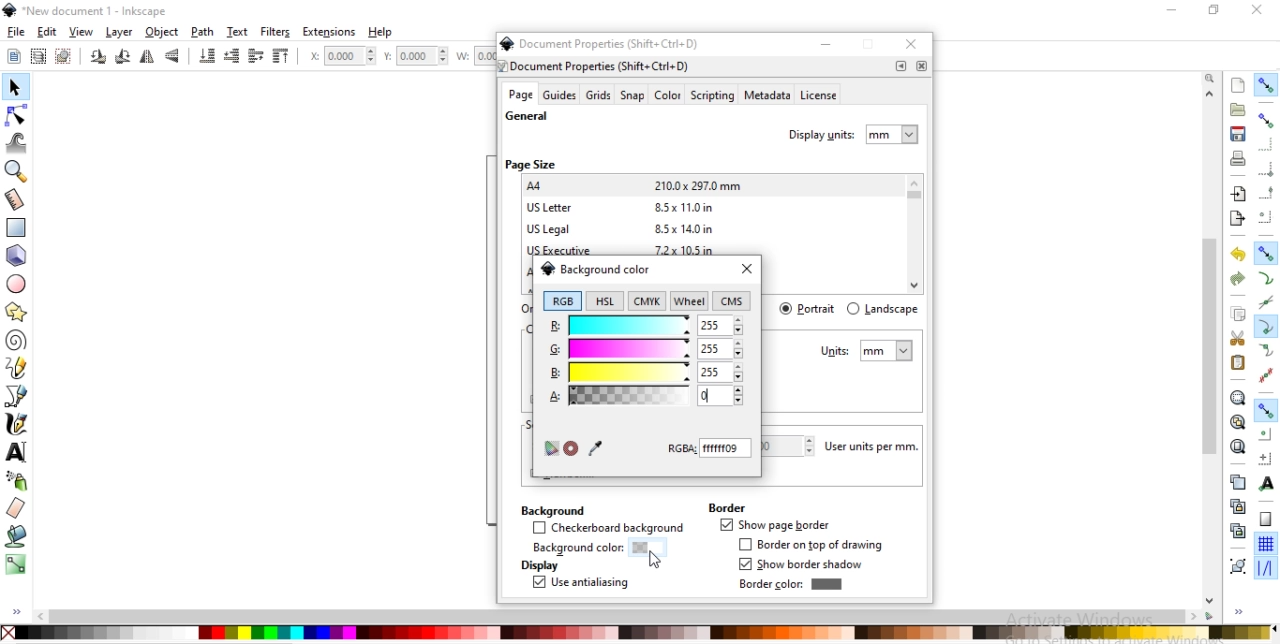 This screenshot has height=644, width=1280. What do you see at coordinates (1238, 134) in the screenshot?
I see `save document` at bounding box center [1238, 134].